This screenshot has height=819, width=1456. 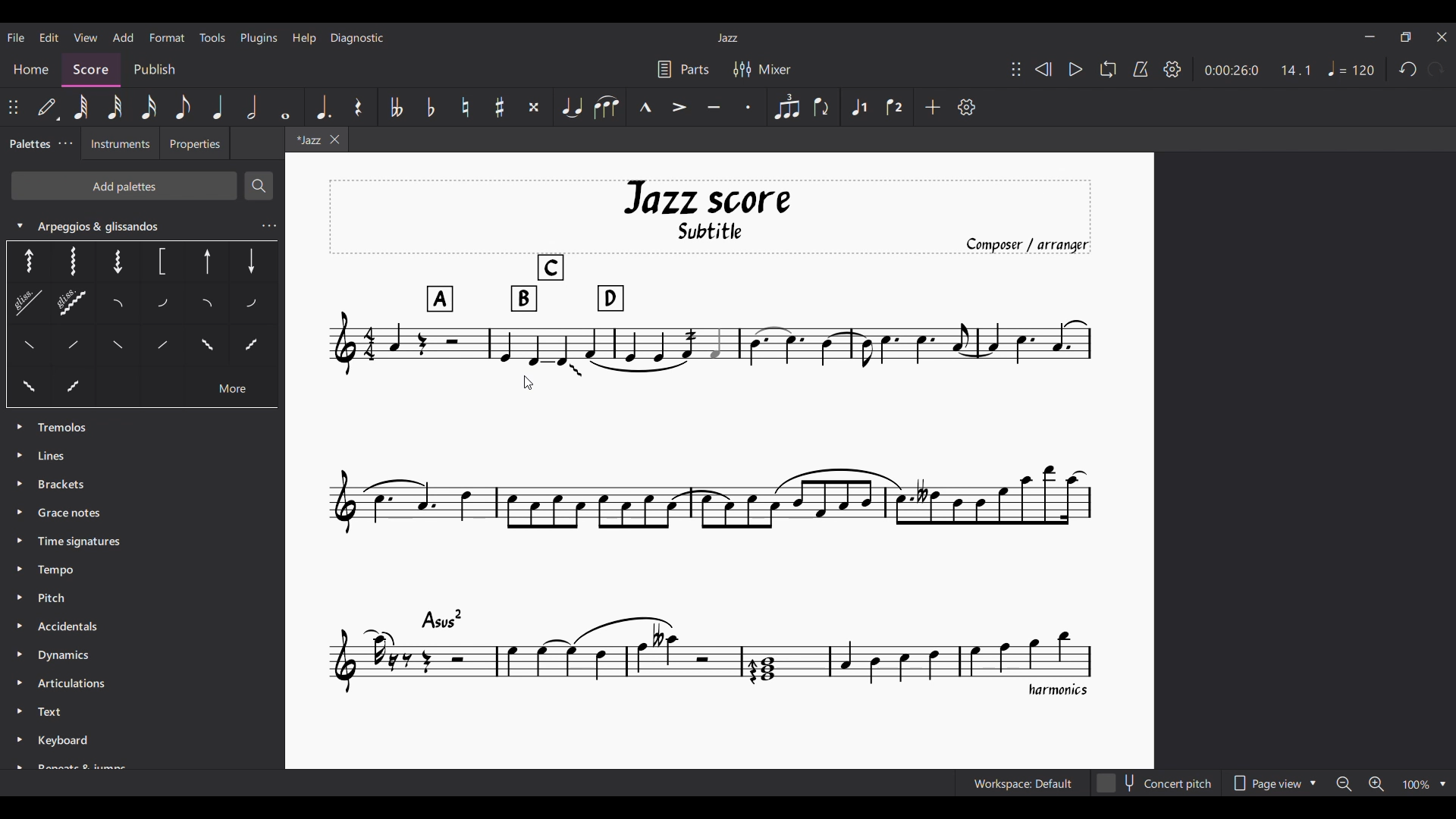 What do you see at coordinates (305, 38) in the screenshot?
I see `Help menu` at bounding box center [305, 38].